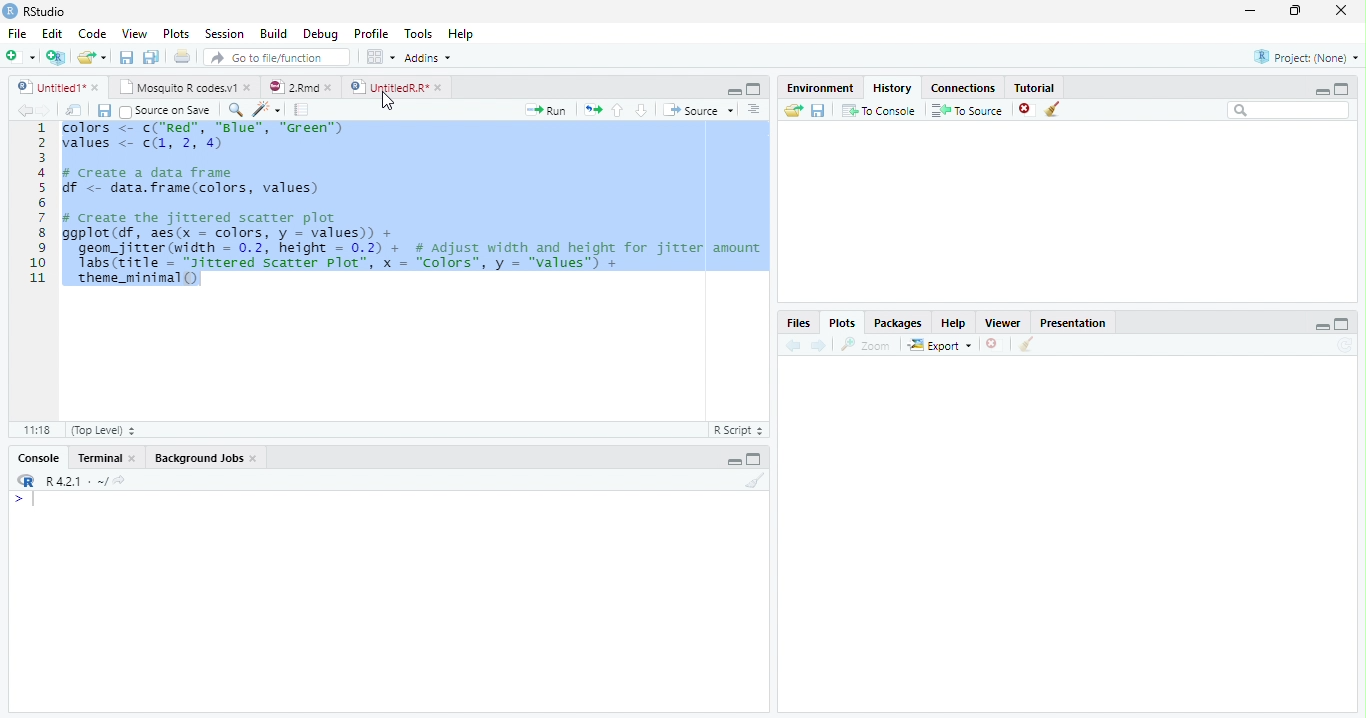 The width and height of the screenshot is (1366, 718). Describe the element at coordinates (152, 57) in the screenshot. I see `Save all open documents` at that location.